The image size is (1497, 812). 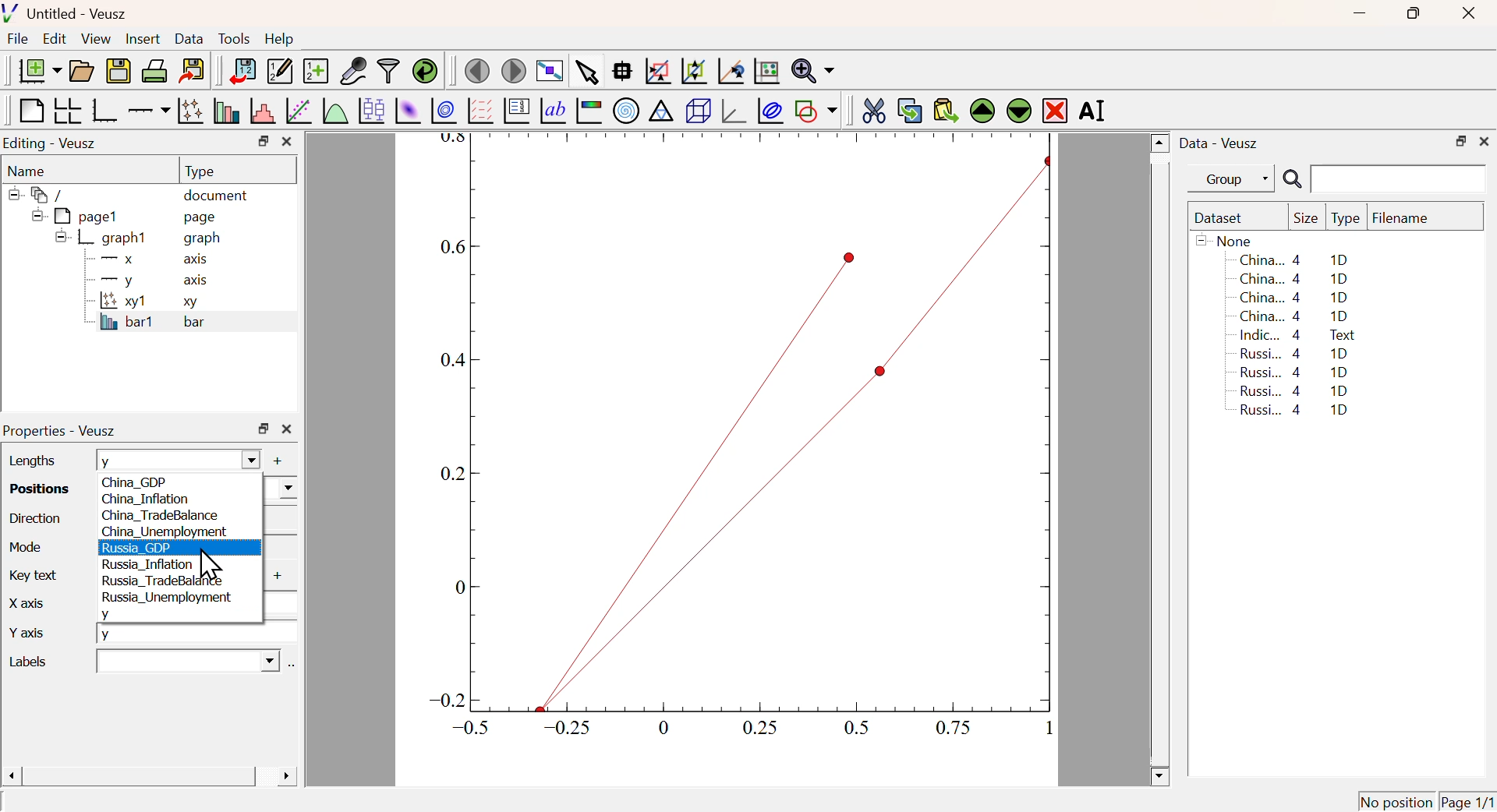 What do you see at coordinates (270, 461) in the screenshot?
I see `Add` at bounding box center [270, 461].